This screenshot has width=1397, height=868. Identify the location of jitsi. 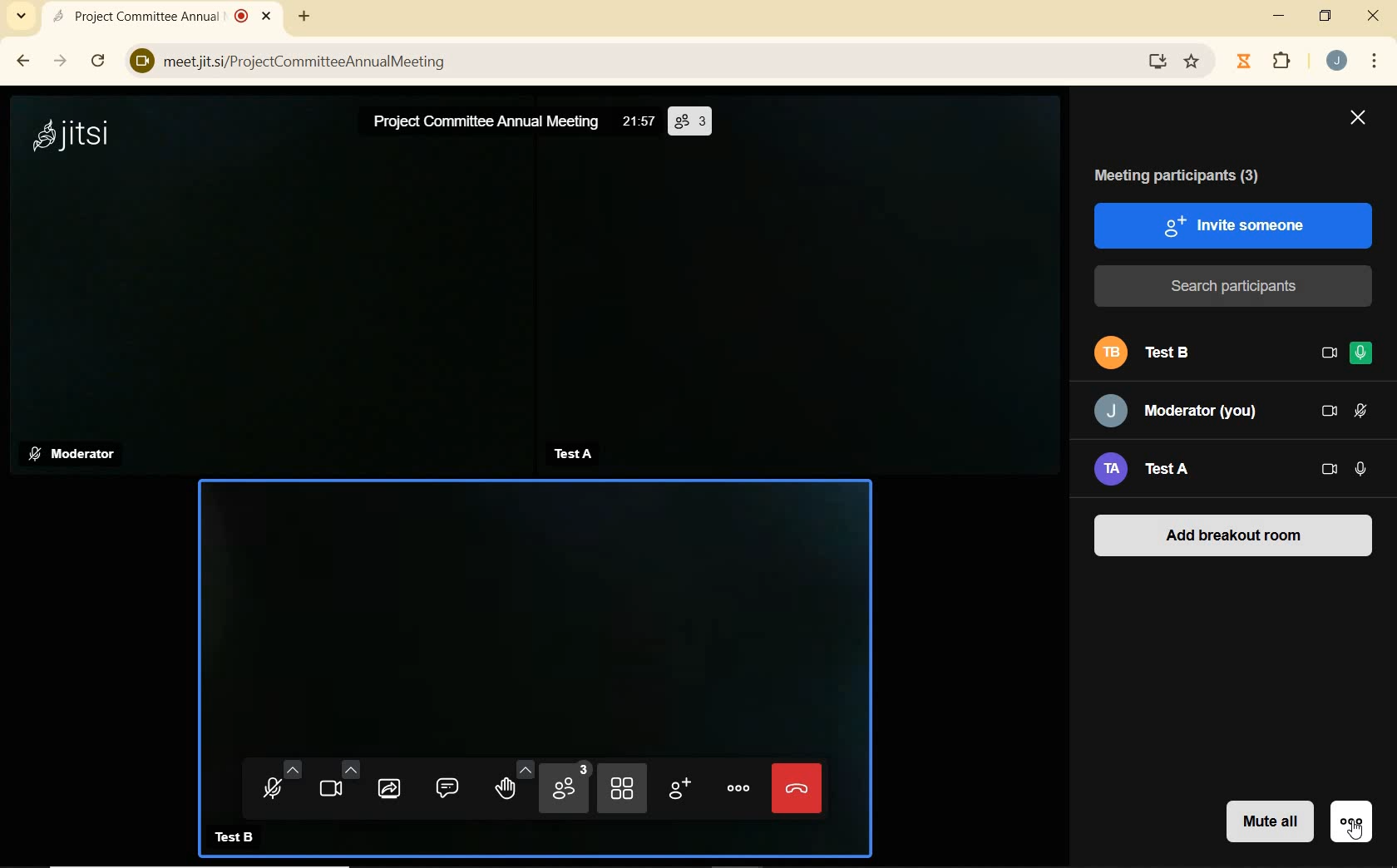
(75, 134).